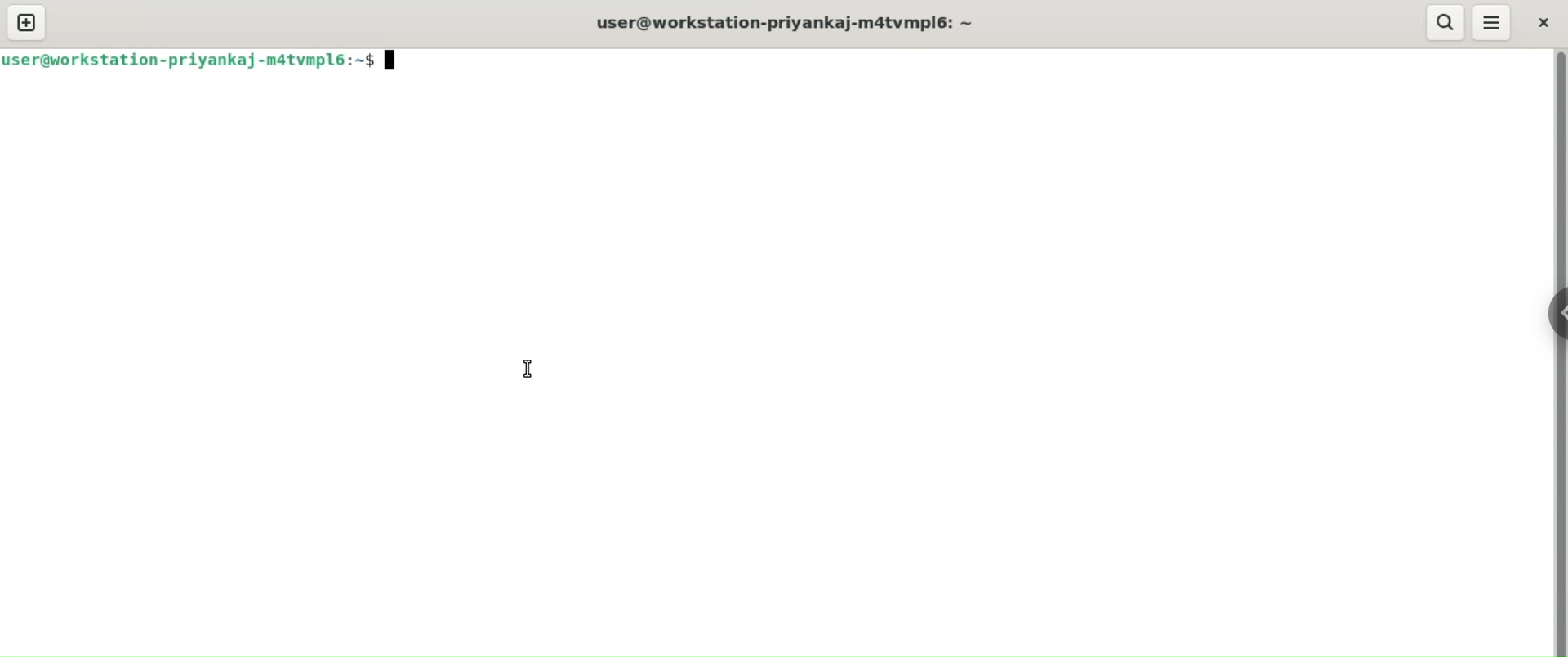 The width and height of the screenshot is (1568, 657). What do you see at coordinates (1546, 23) in the screenshot?
I see `close` at bounding box center [1546, 23].